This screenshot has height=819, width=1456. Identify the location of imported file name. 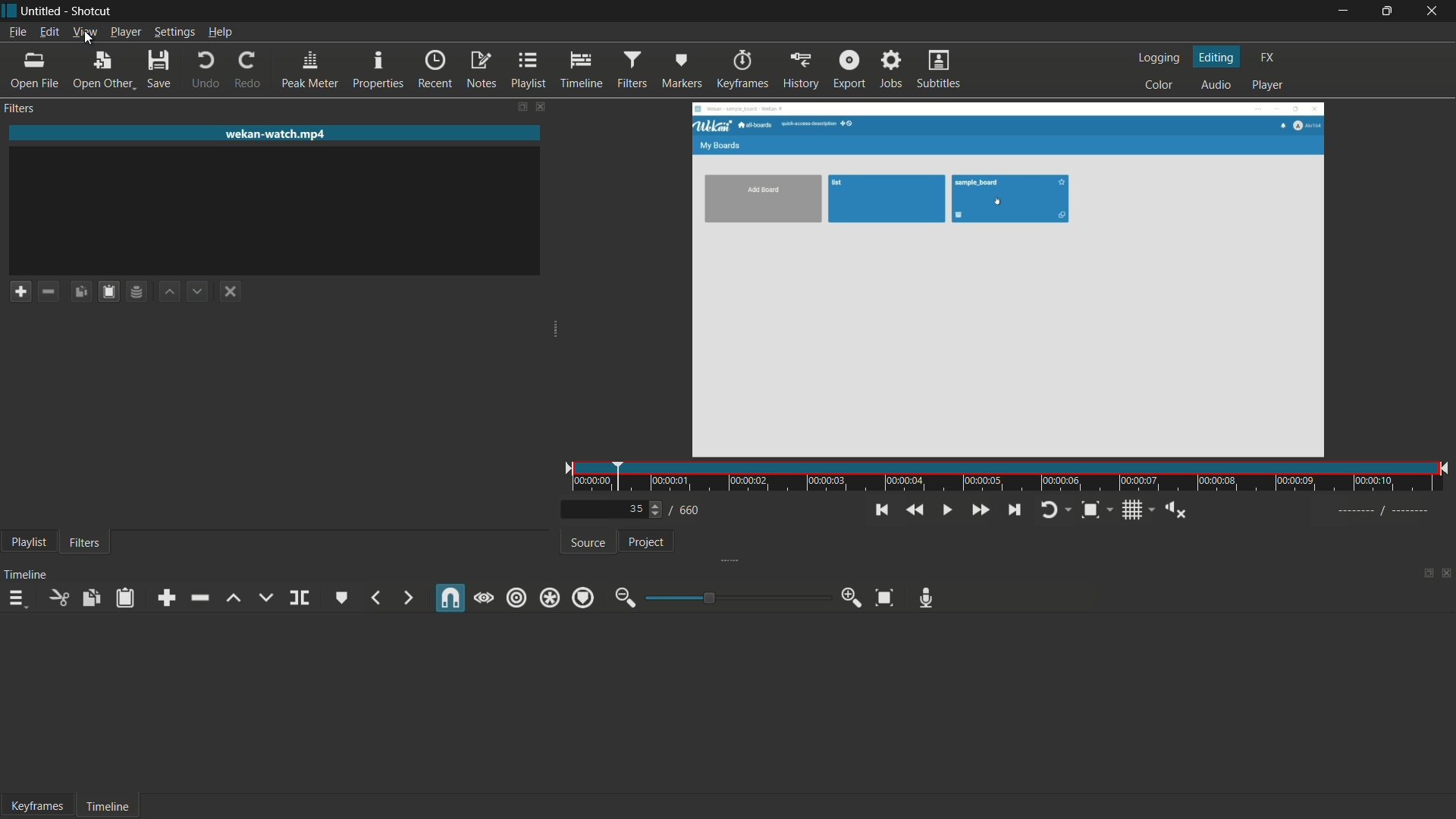
(275, 134).